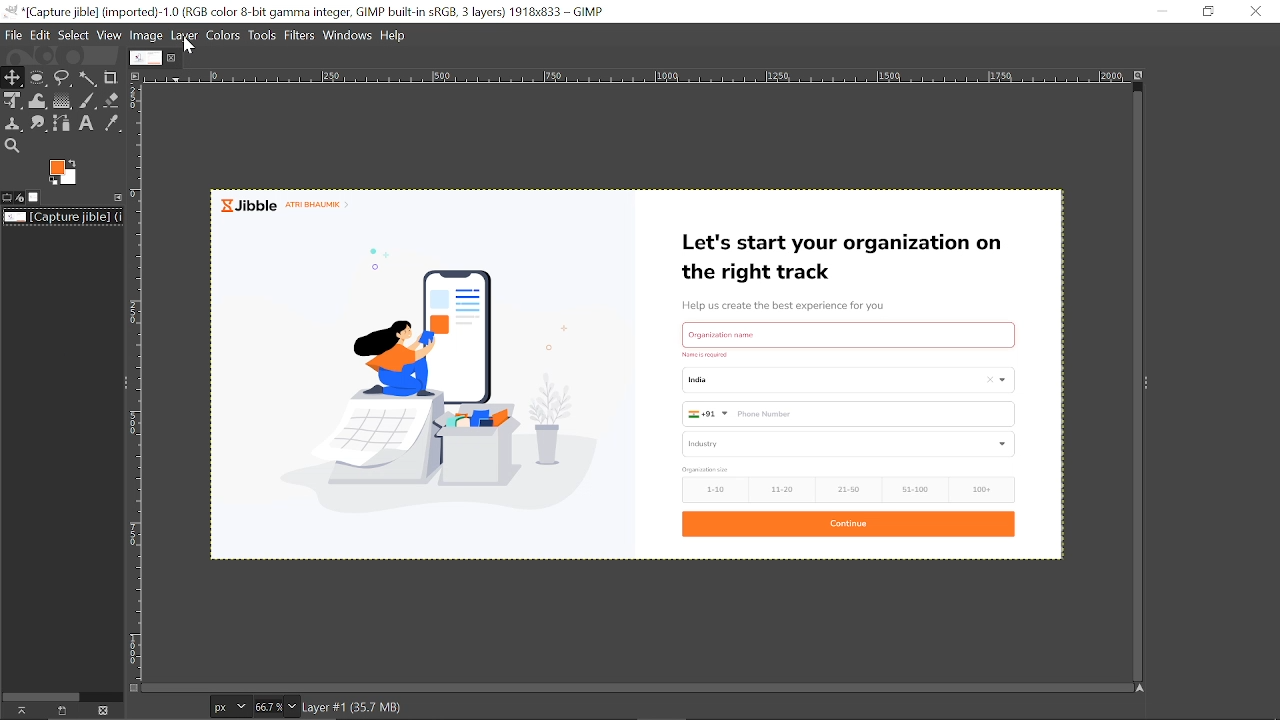 This screenshot has height=720, width=1280. Describe the element at coordinates (13, 36) in the screenshot. I see `File` at that location.